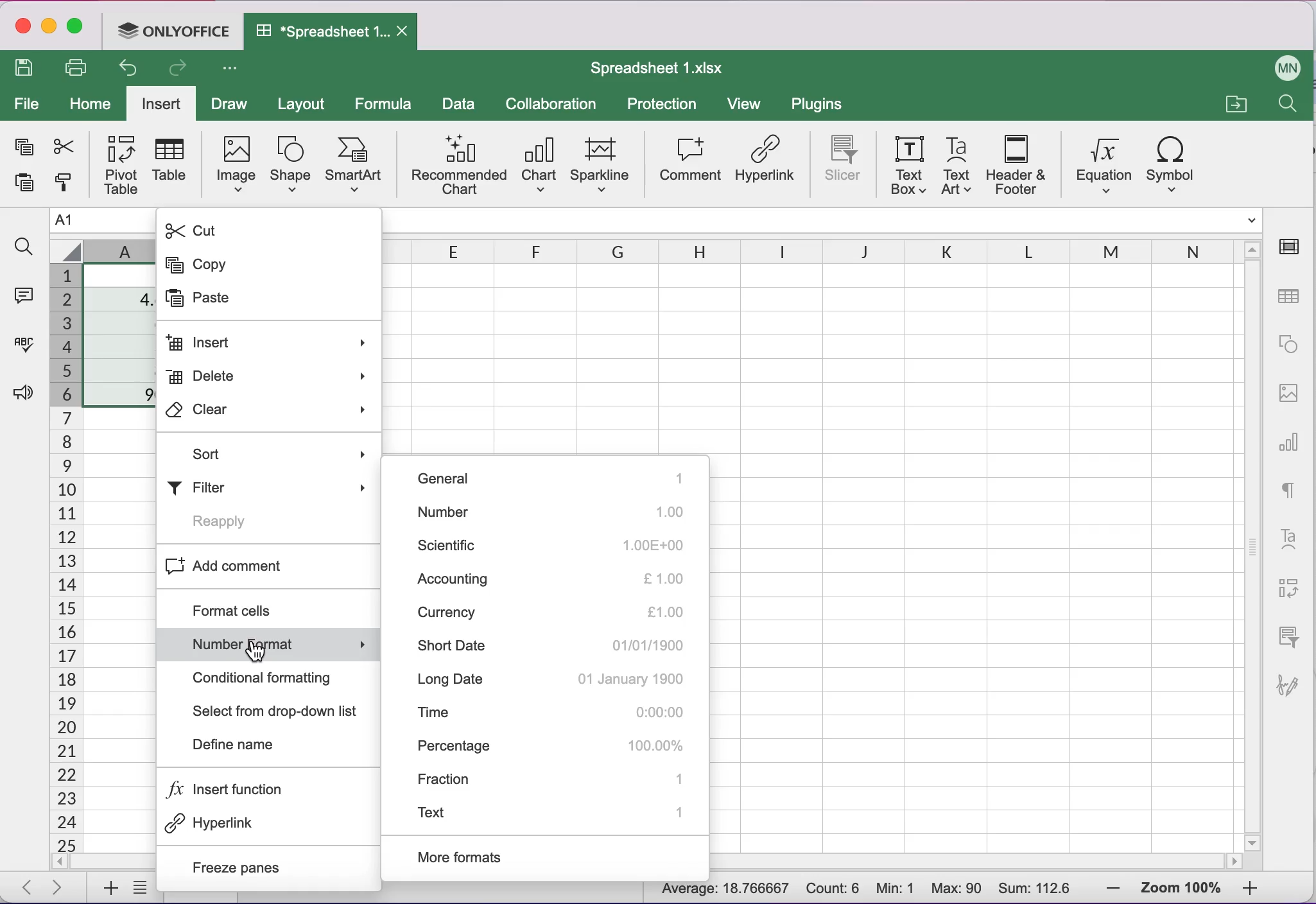  Describe the element at coordinates (1252, 888) in the screenshot. I see `zoom in` at that location.